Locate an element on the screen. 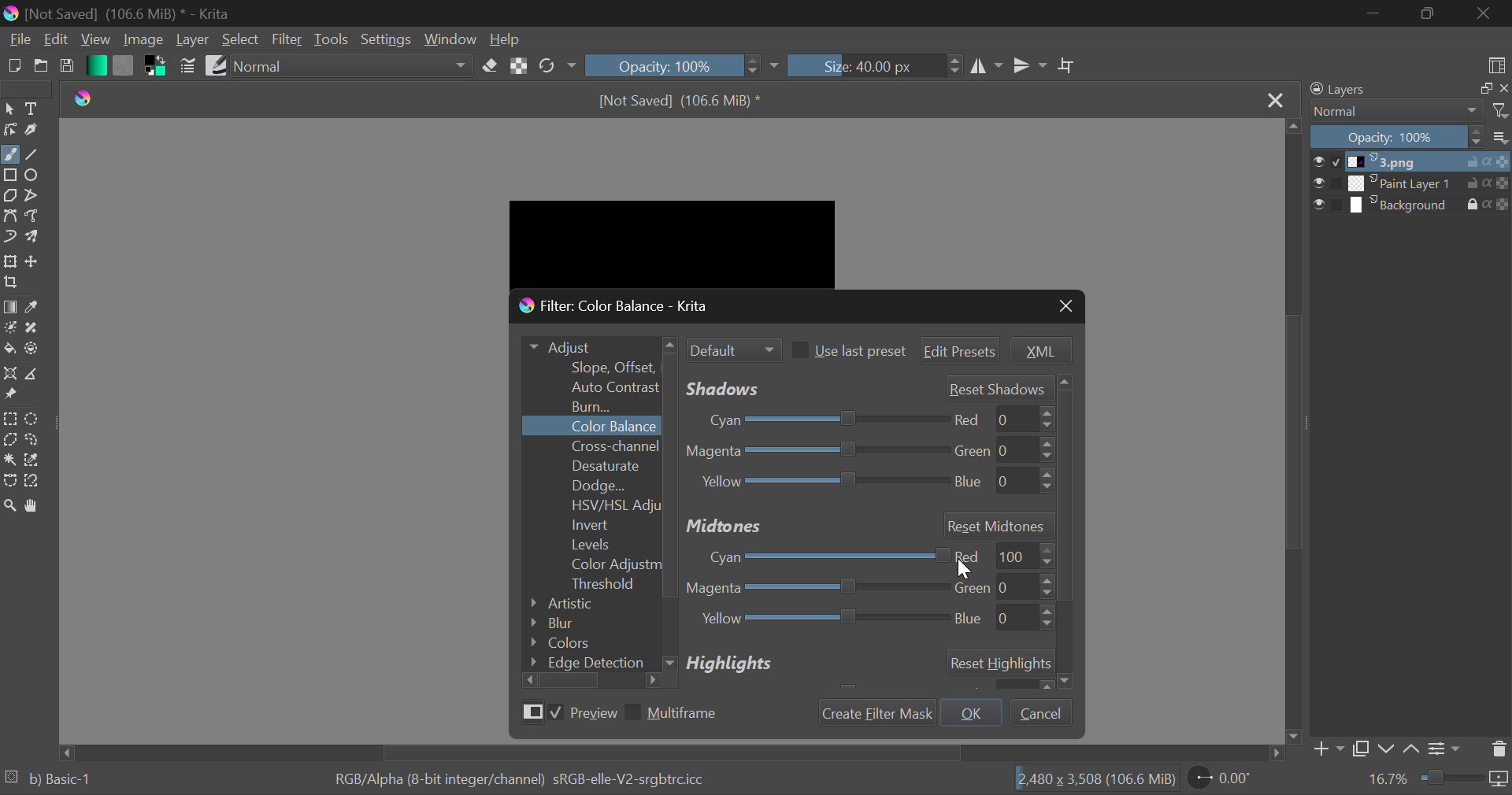  Krita Logo is located at coordinates (83, 97).